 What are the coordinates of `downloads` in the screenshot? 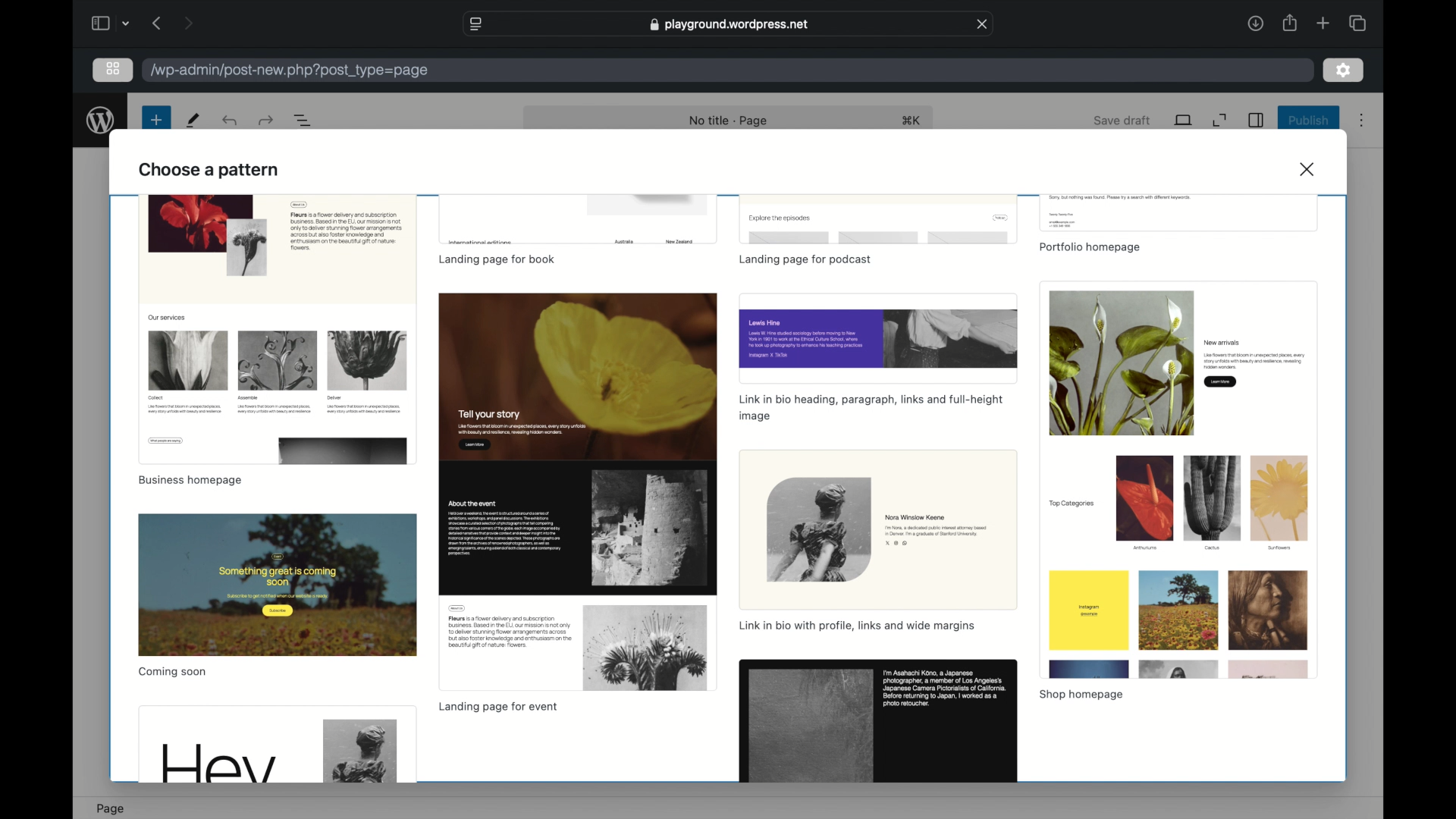 It's located at (1254, 23).